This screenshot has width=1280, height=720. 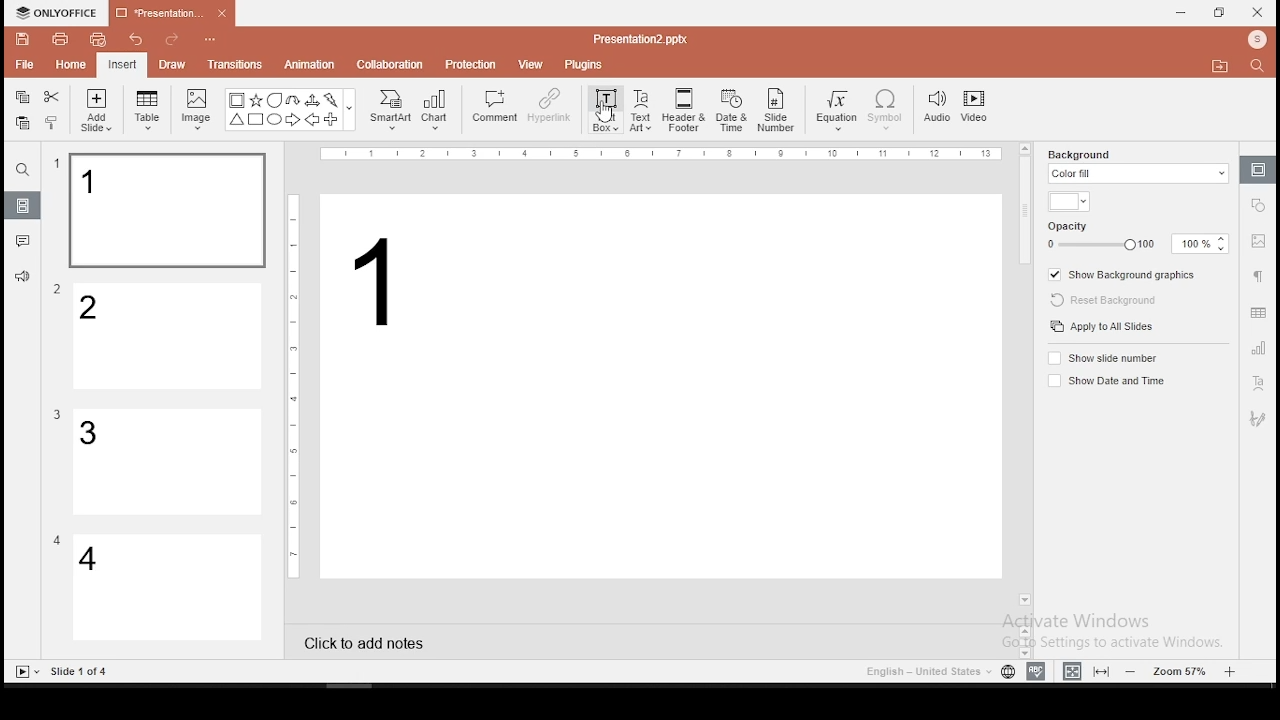 What do you see at coordinates (1070, 203) in the screenshot?
I see `background fill color` at bounding box center [1070, 203].